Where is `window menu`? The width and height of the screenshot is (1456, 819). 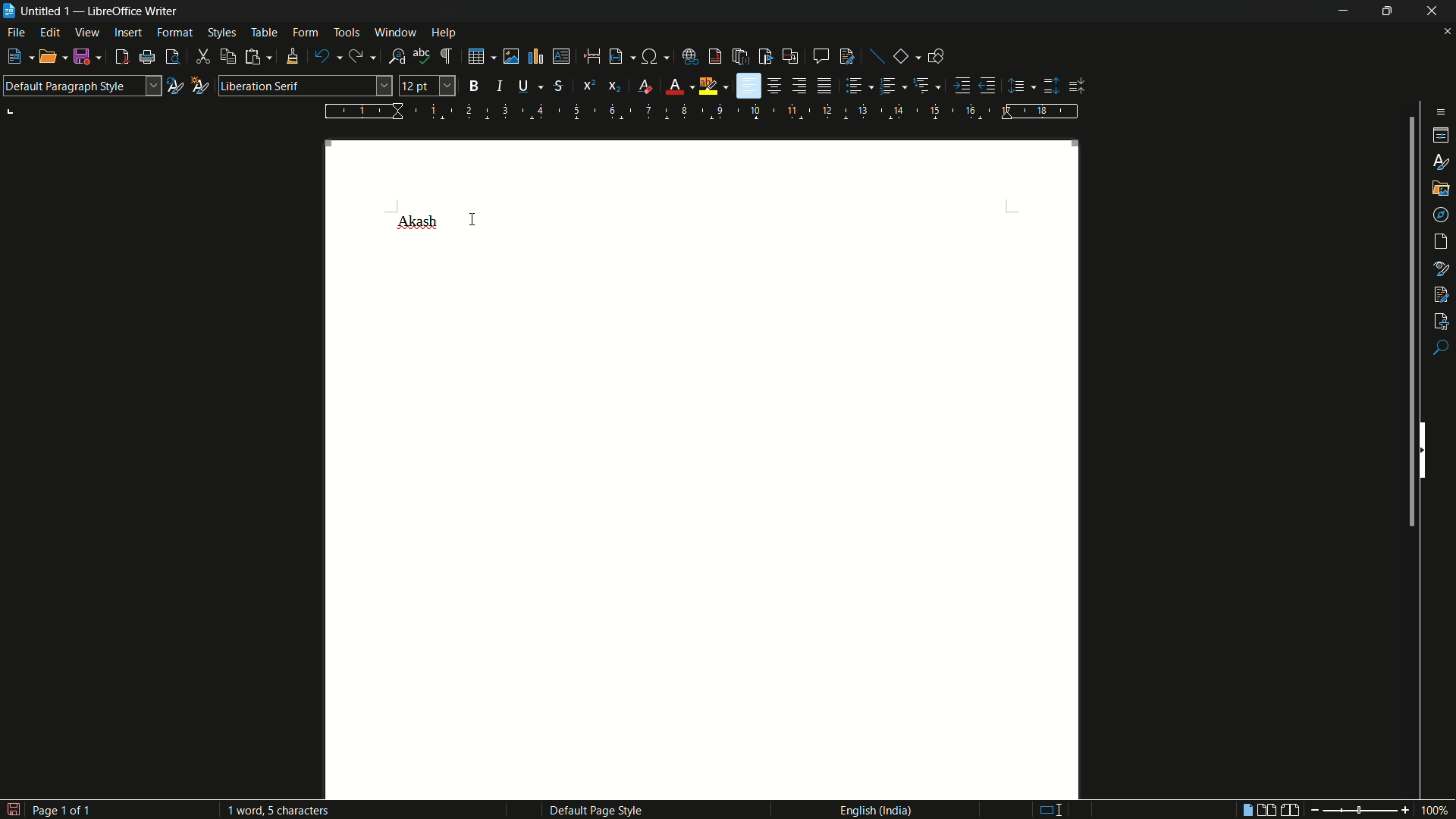 window menu is located at coordinates (396, 32).